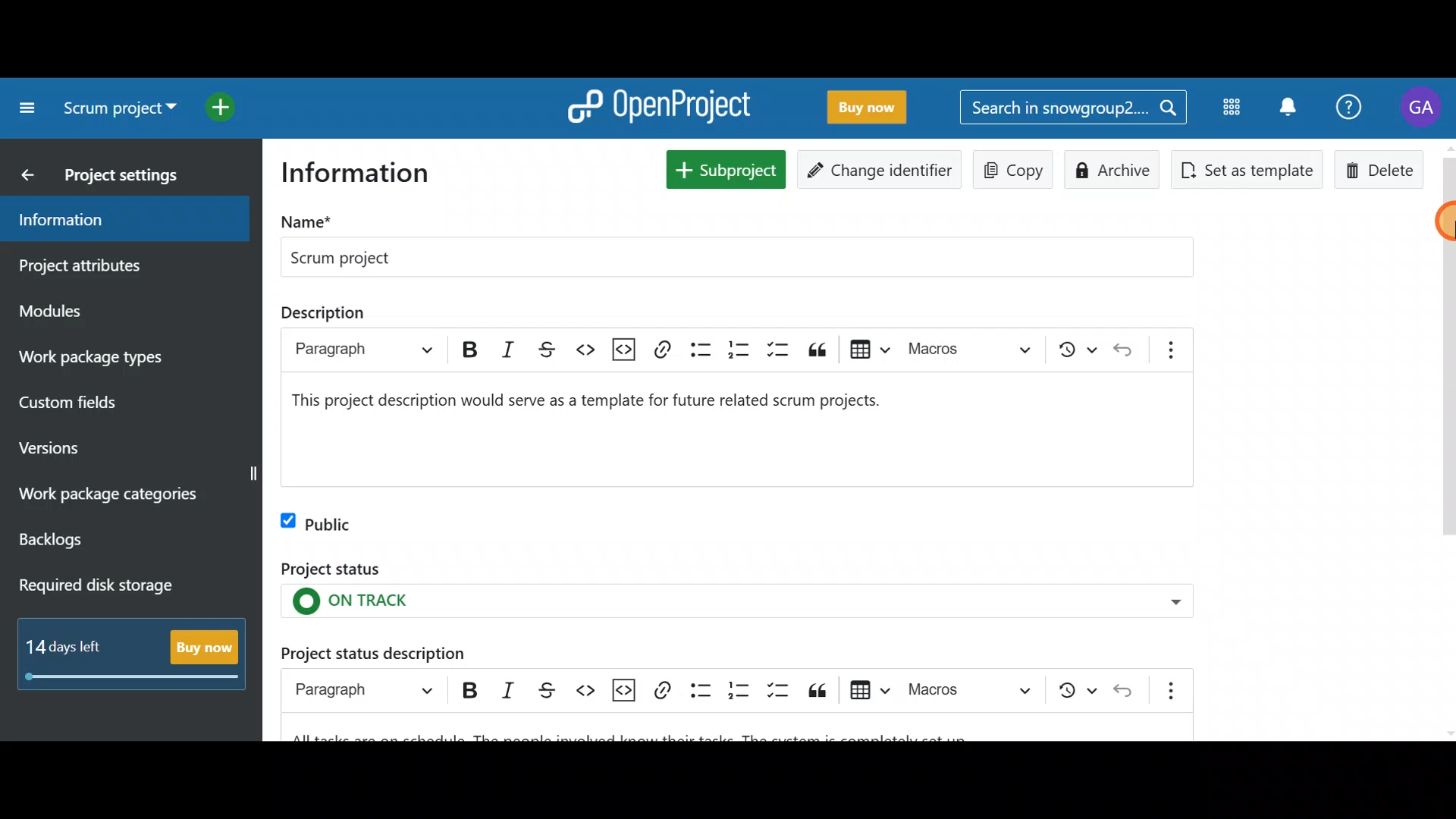 This screenshot has height=819, width=1456. Describe the element at coordinates (585, 350) in the screenshot. I see `code` at that location.